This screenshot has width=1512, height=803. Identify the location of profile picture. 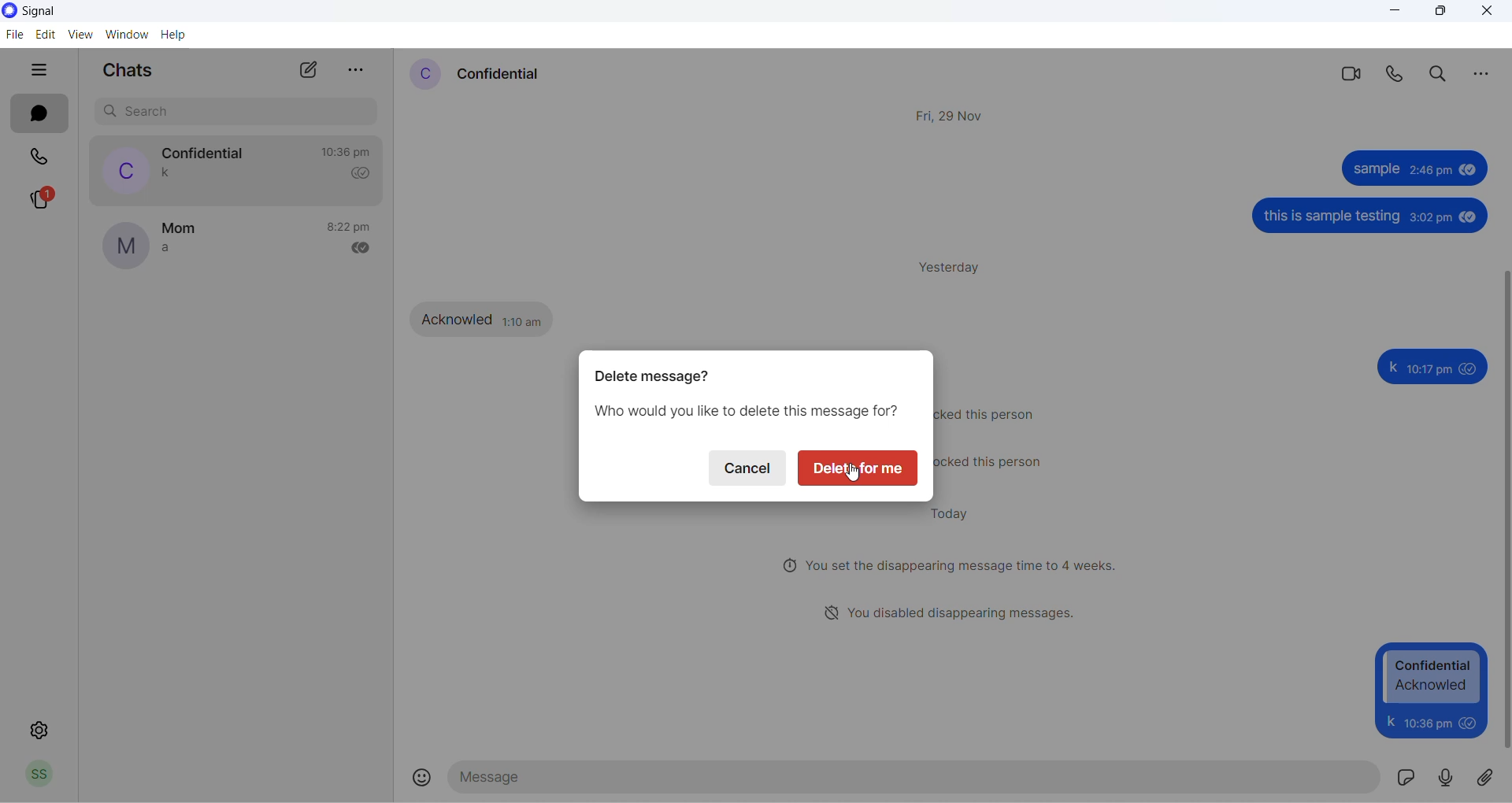
(129, 246).